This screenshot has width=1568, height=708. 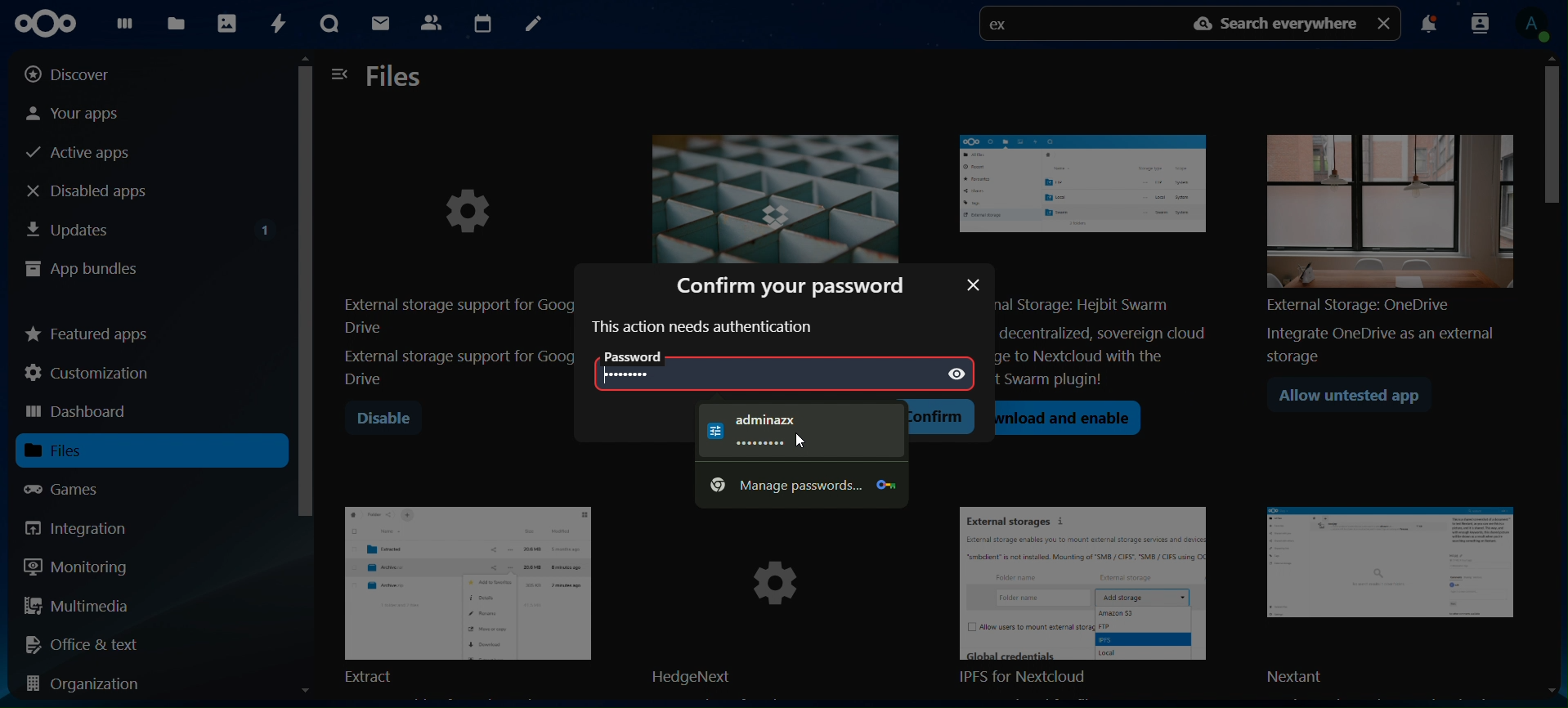 I want to click on Nextant, so click(x=1396, y=597).